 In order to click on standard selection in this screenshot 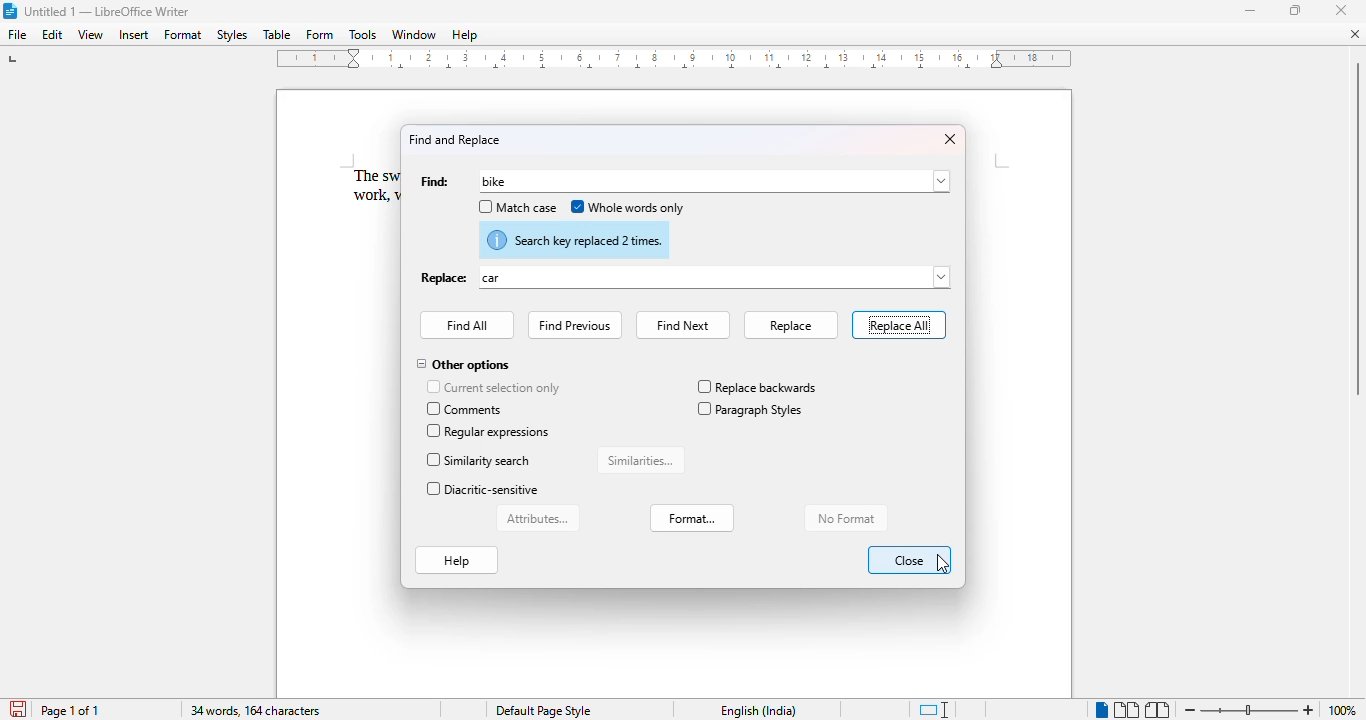, I will do `click(934, 710)`.